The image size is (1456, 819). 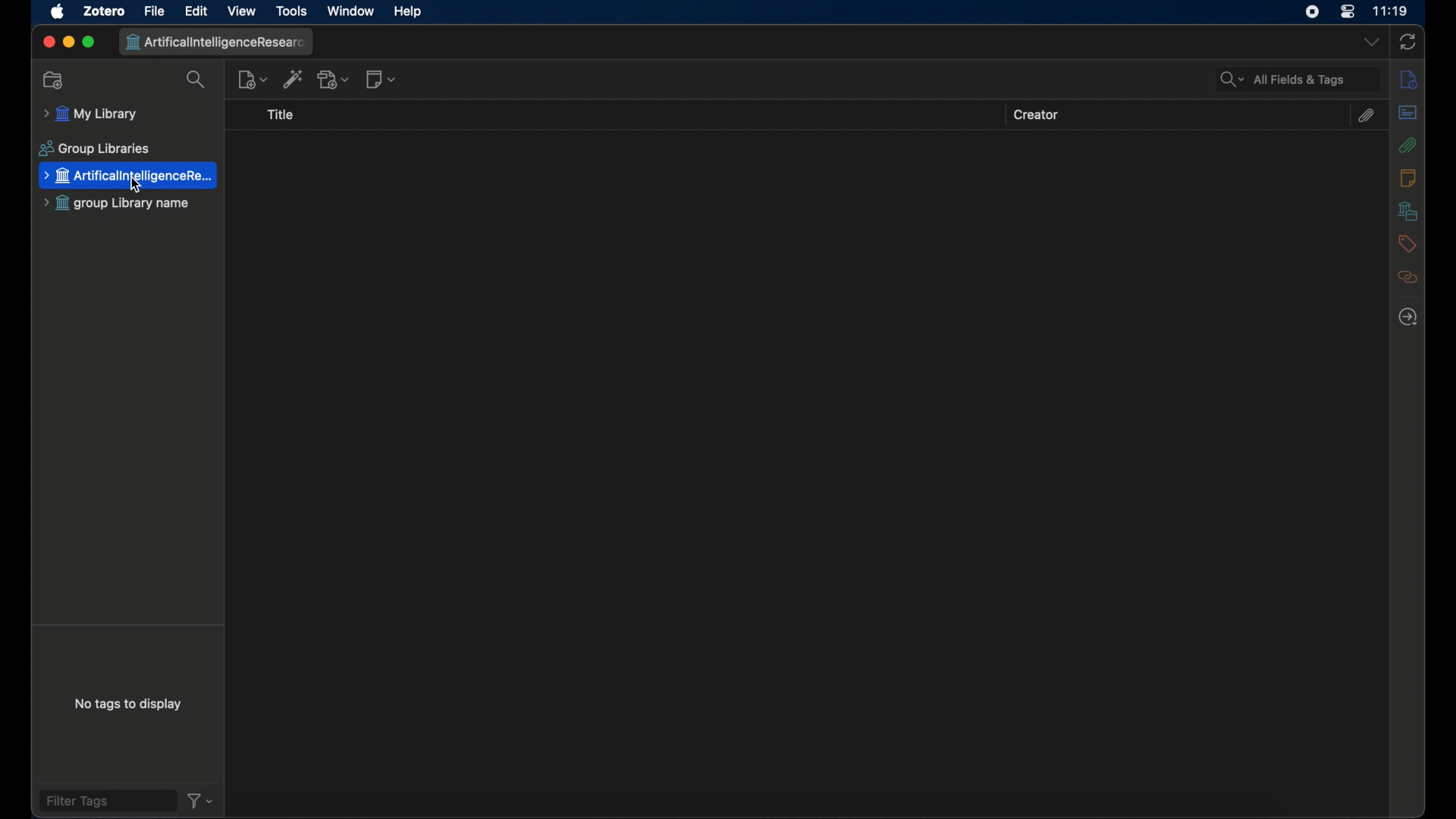 What do you see at coordinates (1407, 177) in the screenshot?
I see `notes` at bounding box center [1407, 177].